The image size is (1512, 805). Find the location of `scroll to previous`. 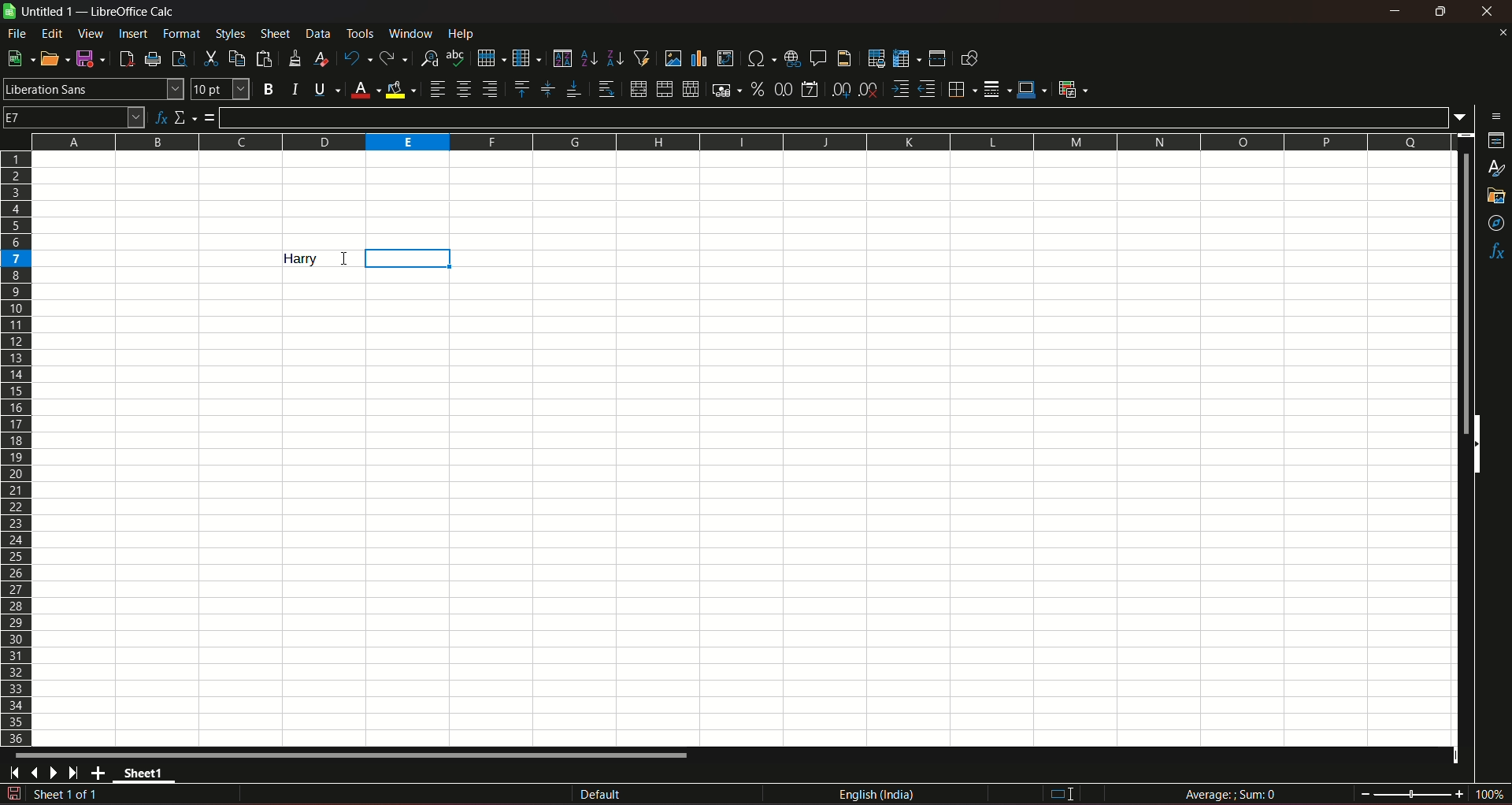

scroll to previous is located at coordinates (36, 774).